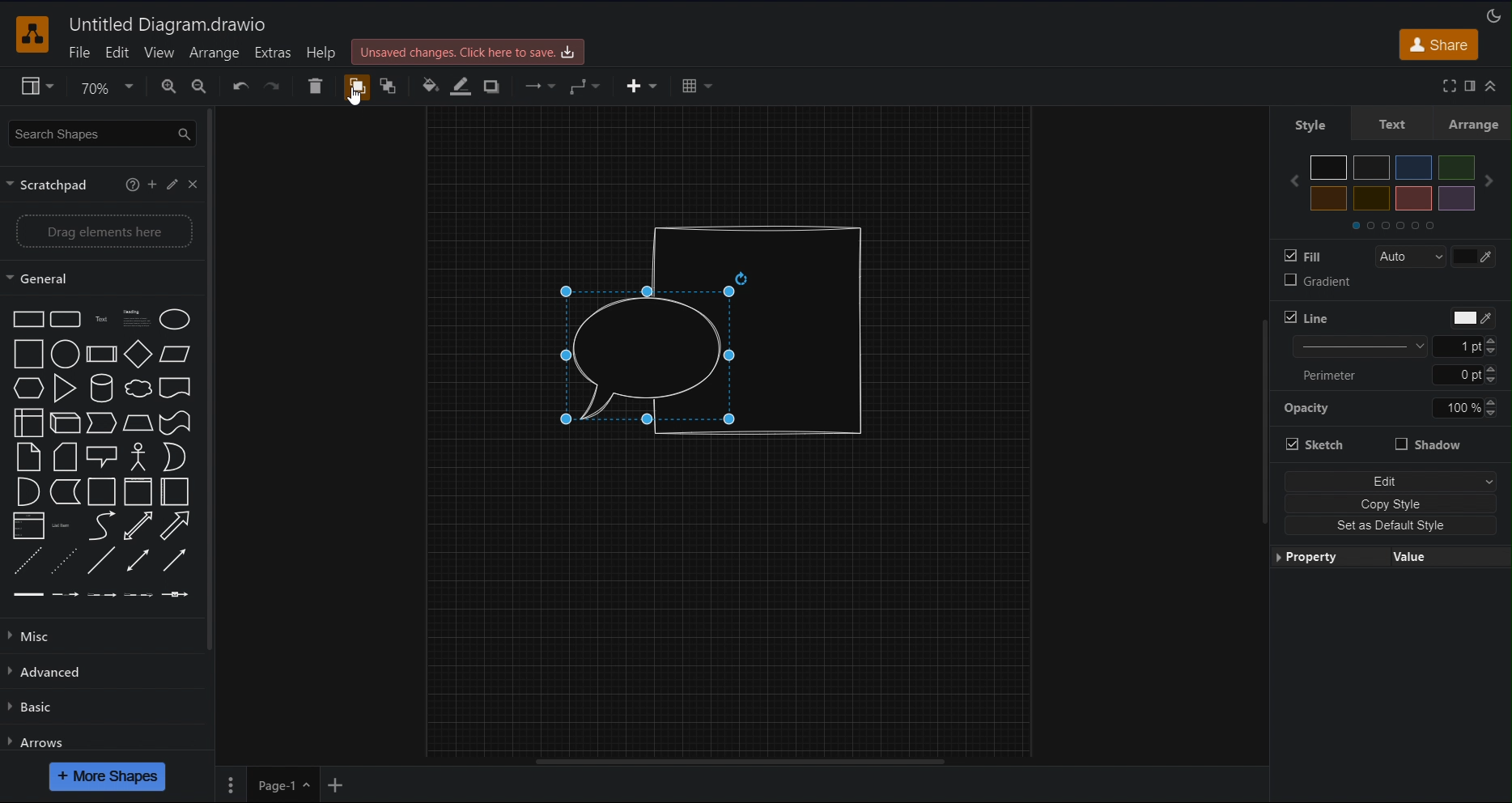 This screenshot has width=1512, height=803. I want to click on Colors, so click(1393, 183).